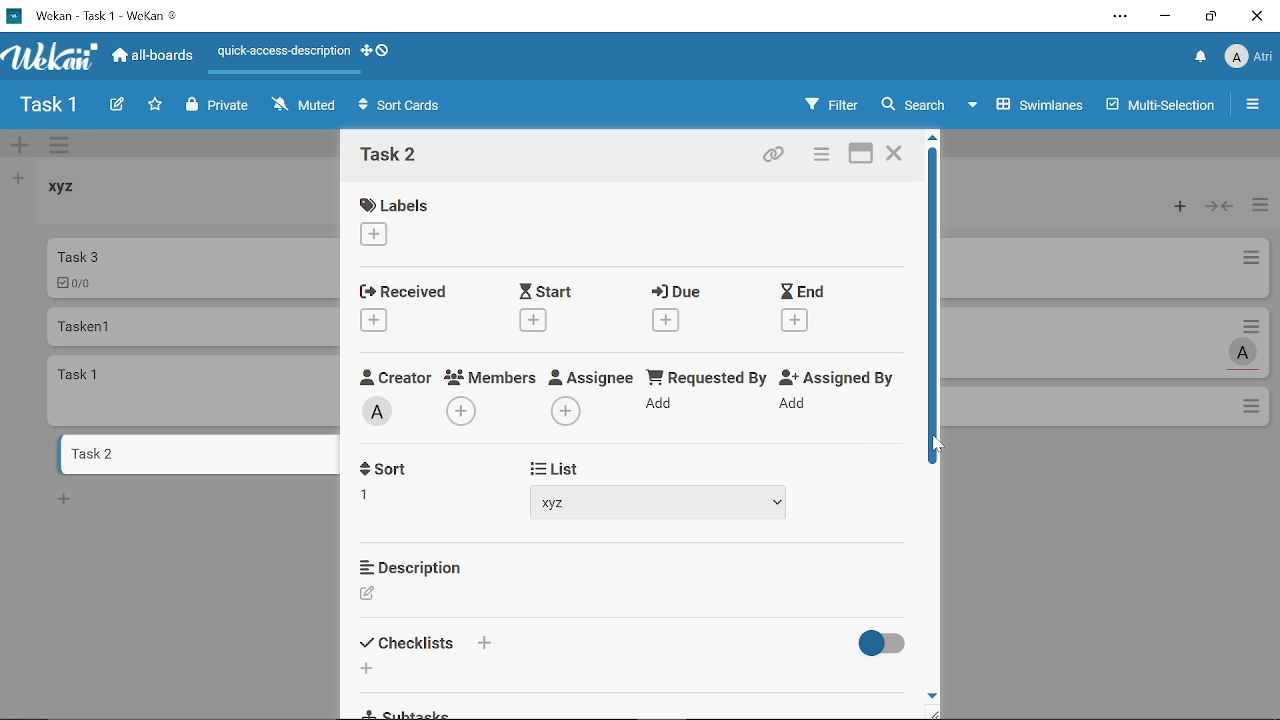  Describe the element at coordinates (896, 156) in the screenshot. I see `Close card` at that location.